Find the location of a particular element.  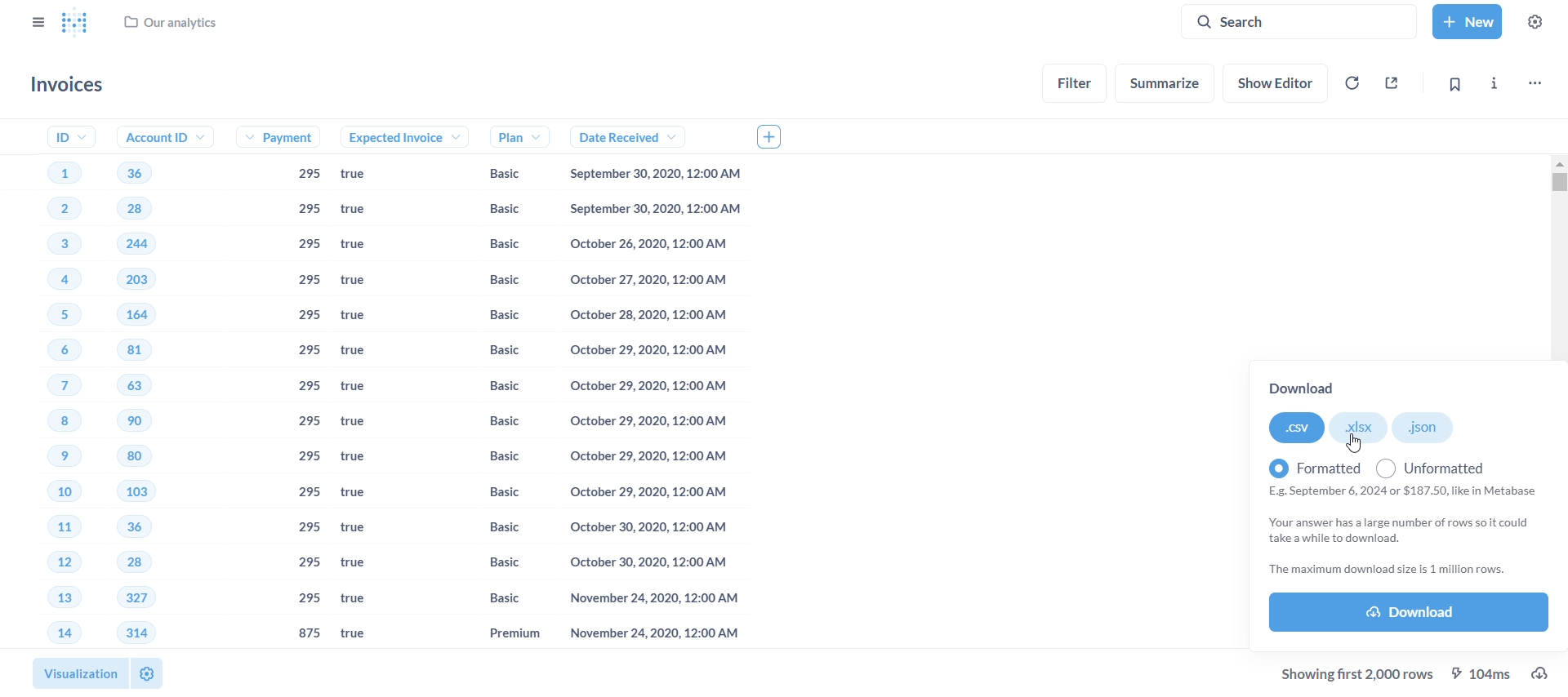

875 is located at coordinates (310, 633).